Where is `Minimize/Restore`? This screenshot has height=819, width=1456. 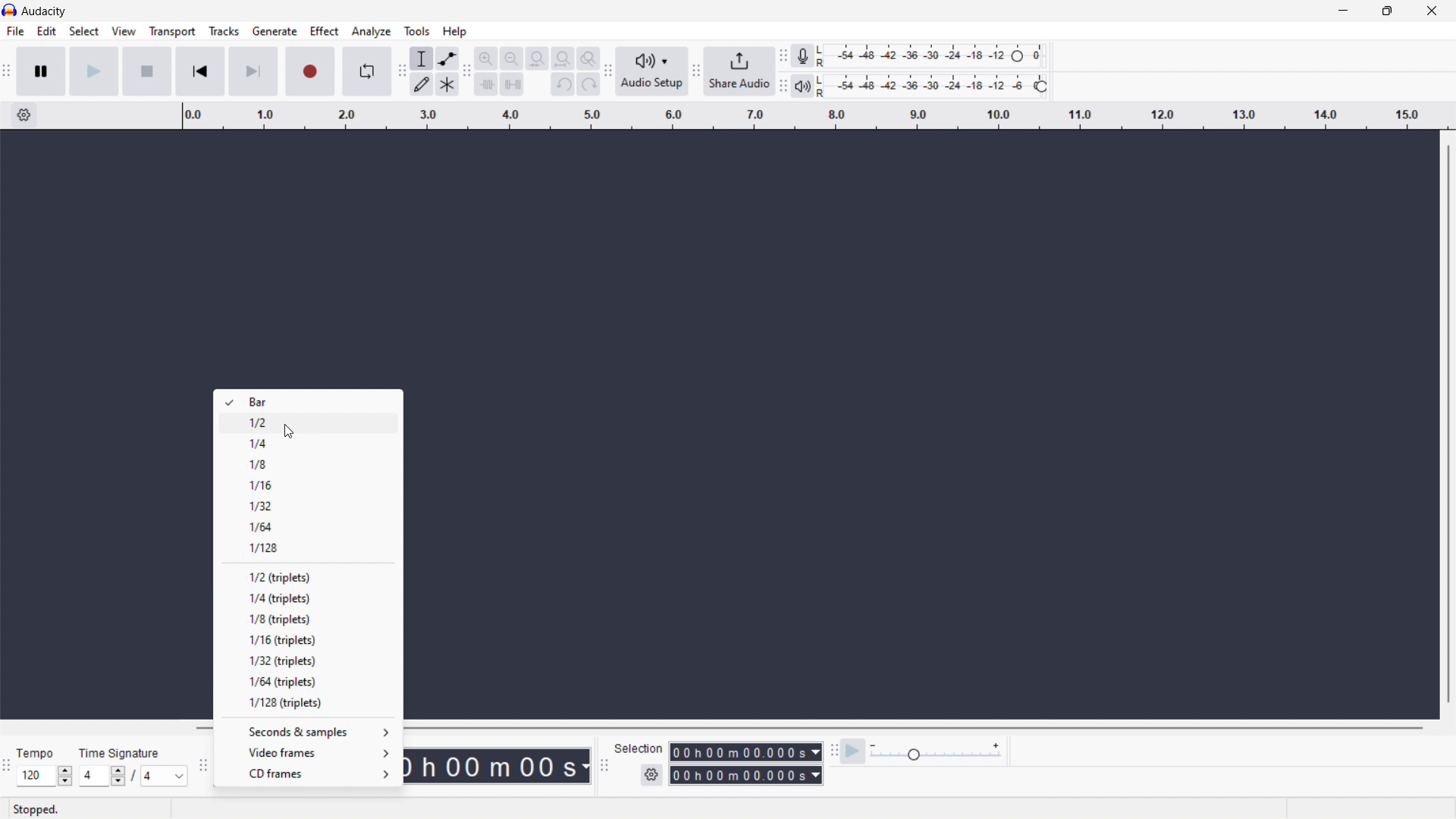 Minimize/Restore is located at coordinates (1387, 11).